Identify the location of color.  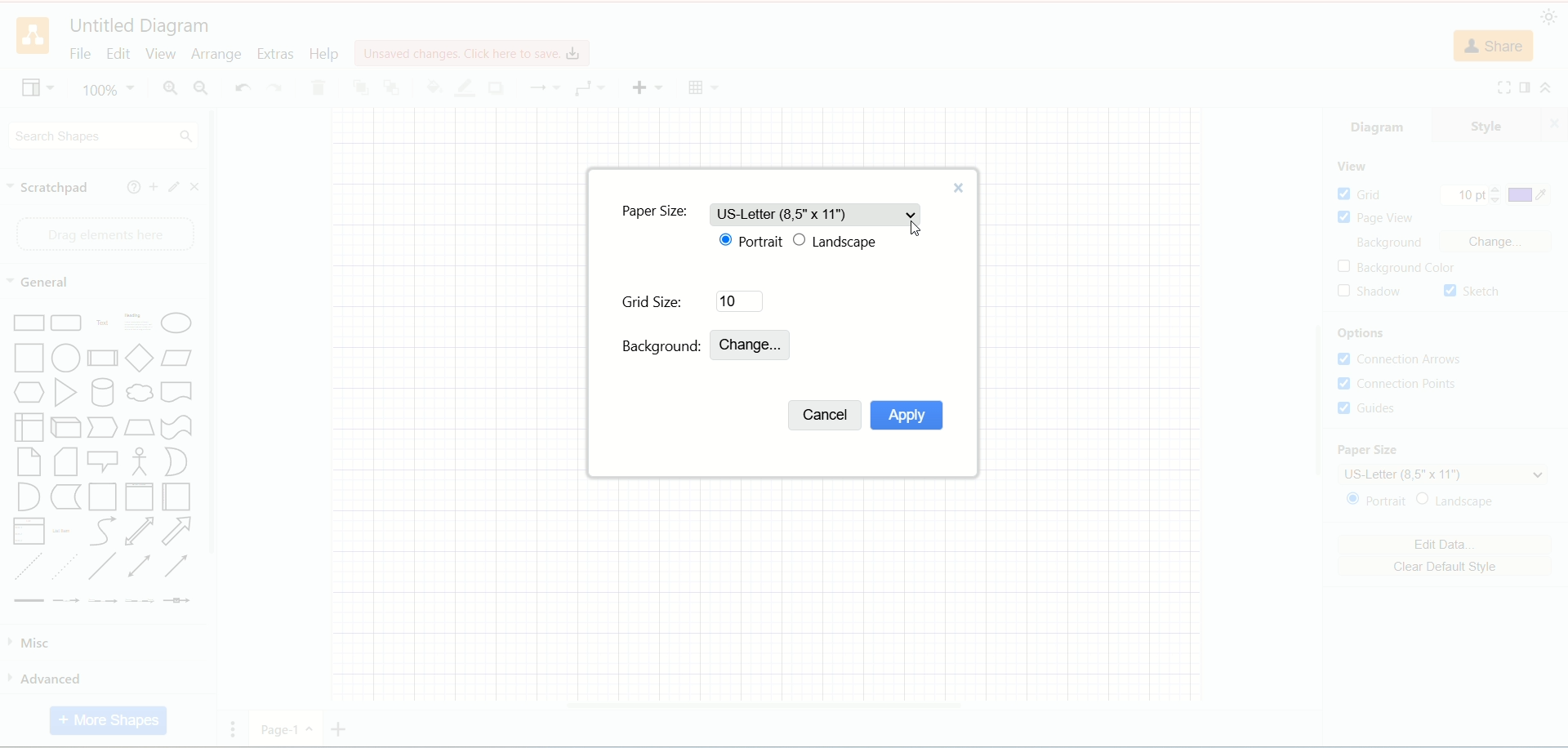
(1530, 196).